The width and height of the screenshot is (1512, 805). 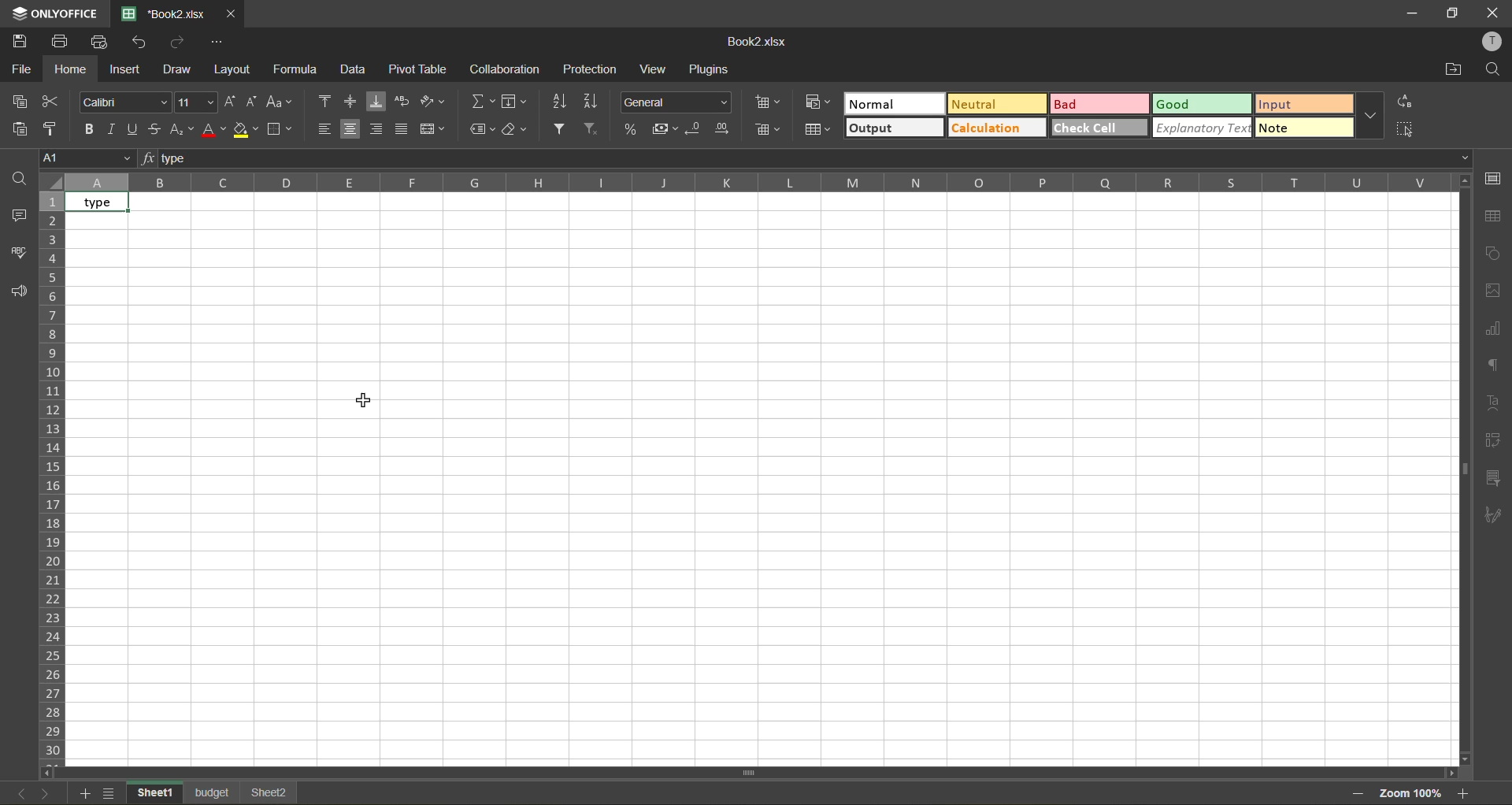 I want to click on Book2.xlsx, so click(x=758, y=43).